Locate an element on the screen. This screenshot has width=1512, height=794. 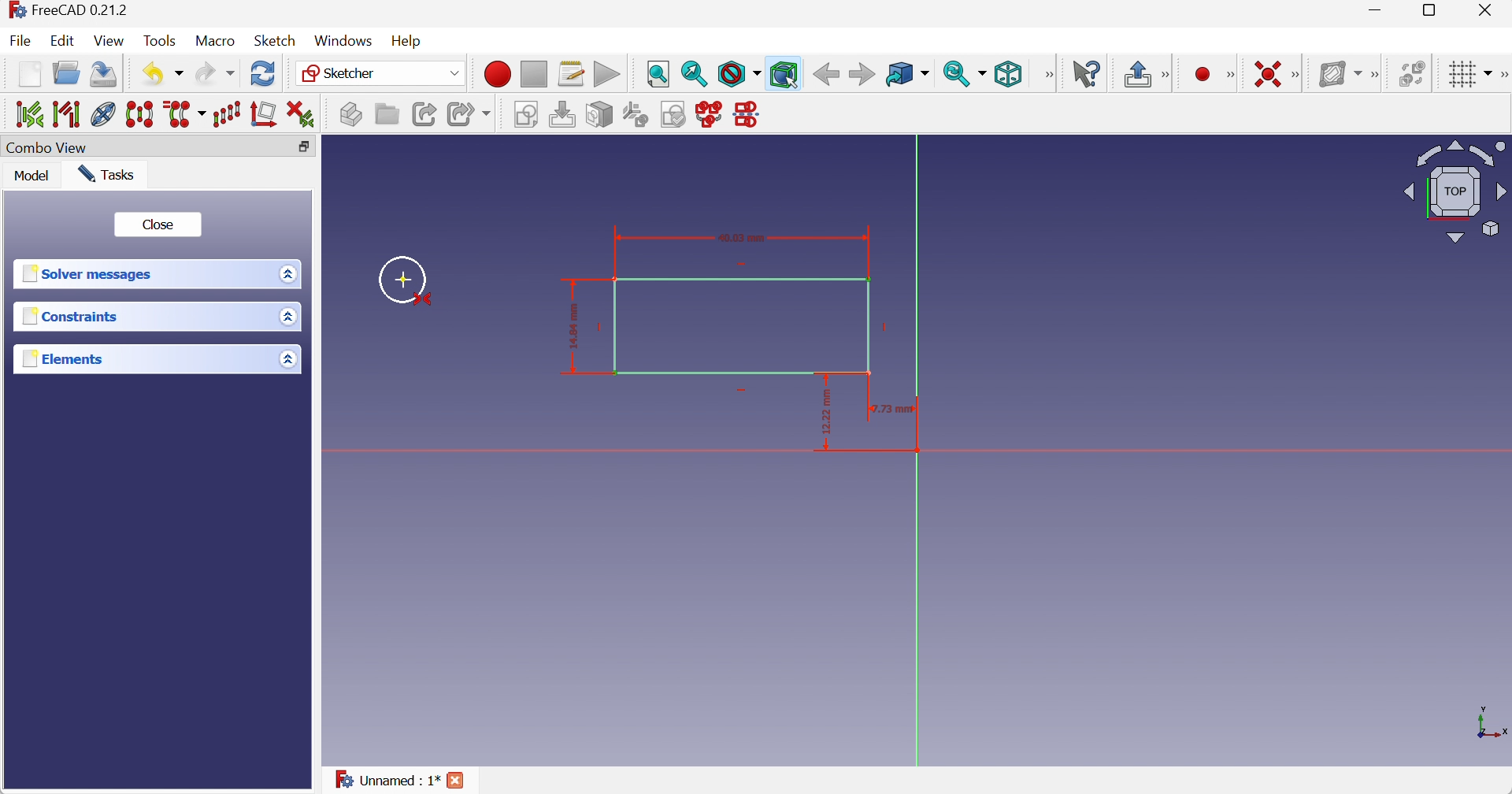
Elements is located at coordinates (69, 358).